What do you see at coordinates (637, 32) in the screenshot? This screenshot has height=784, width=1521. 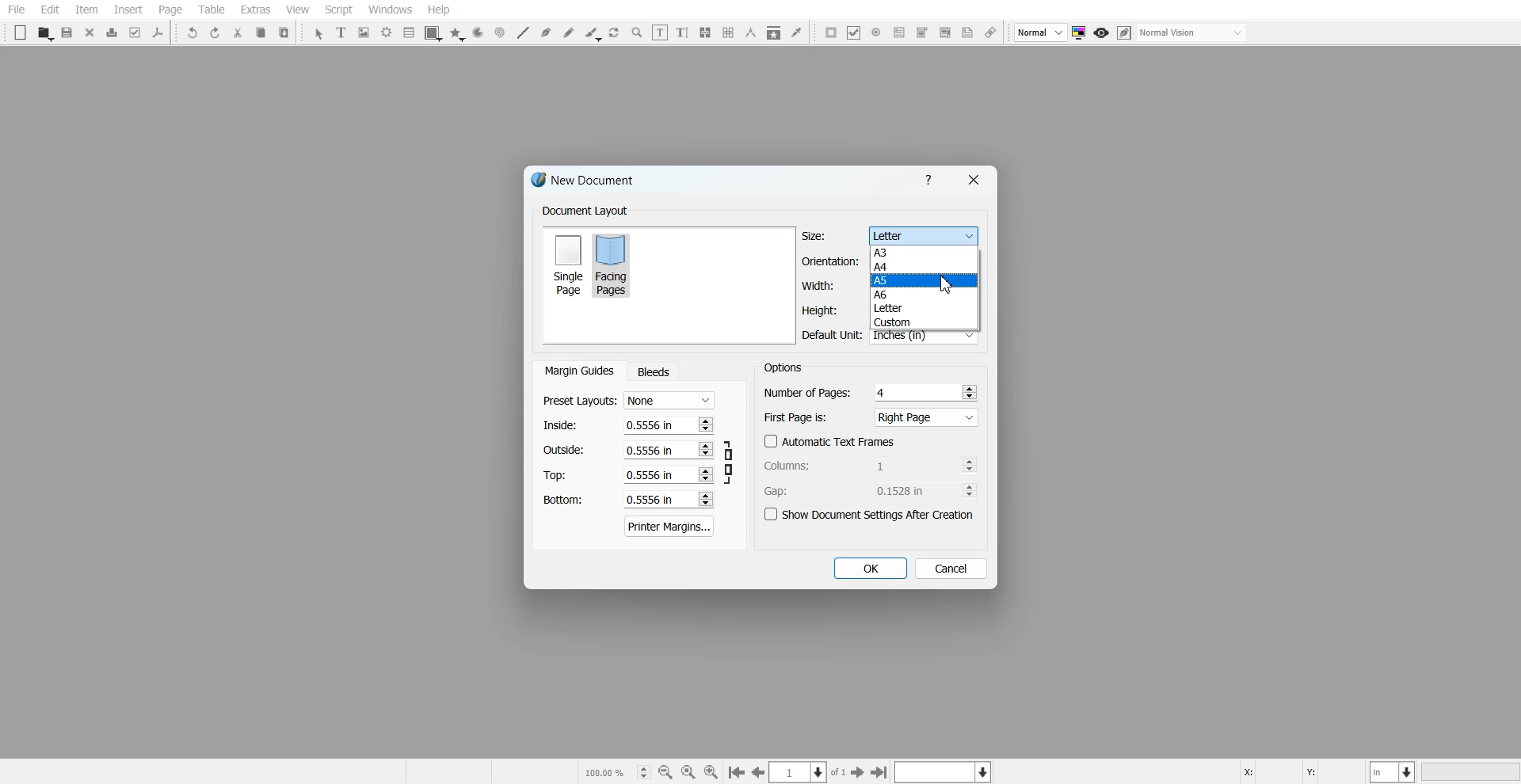 I see `Zoom in or Out` at bounding box center [637, 32].